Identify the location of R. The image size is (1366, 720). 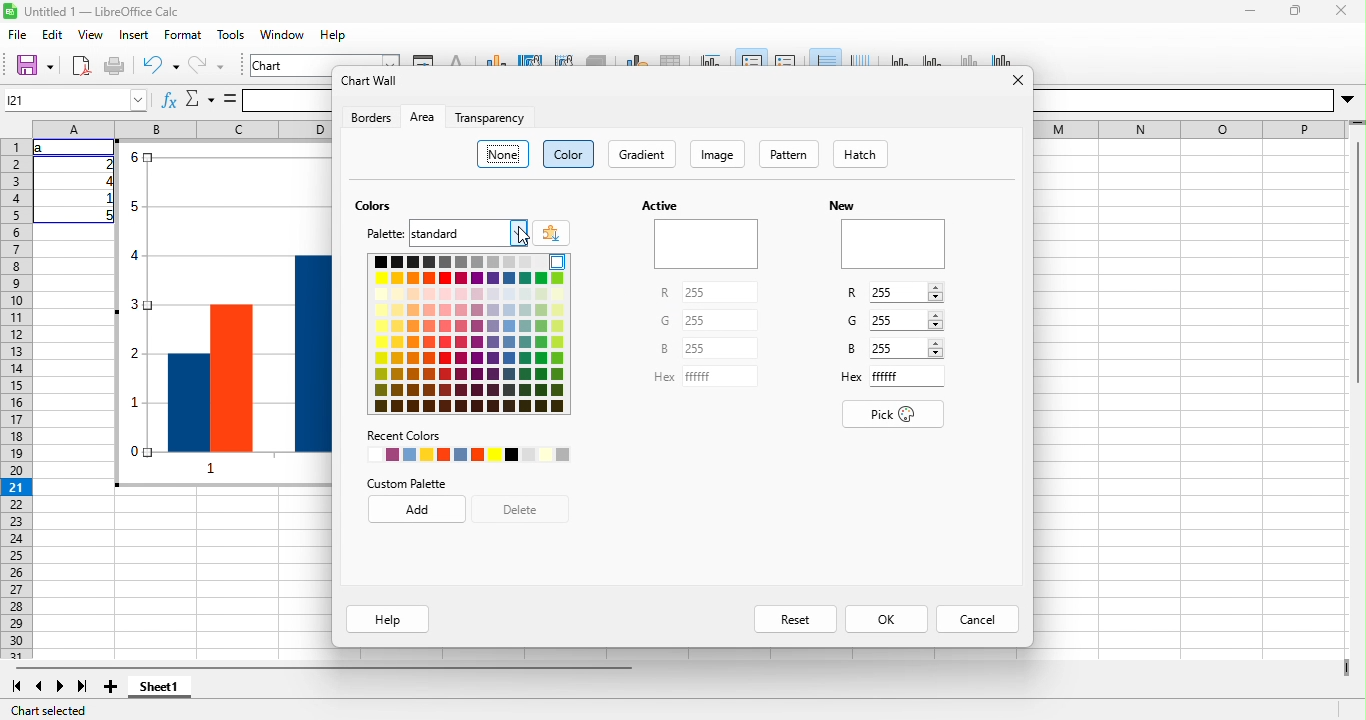
(665, 292).